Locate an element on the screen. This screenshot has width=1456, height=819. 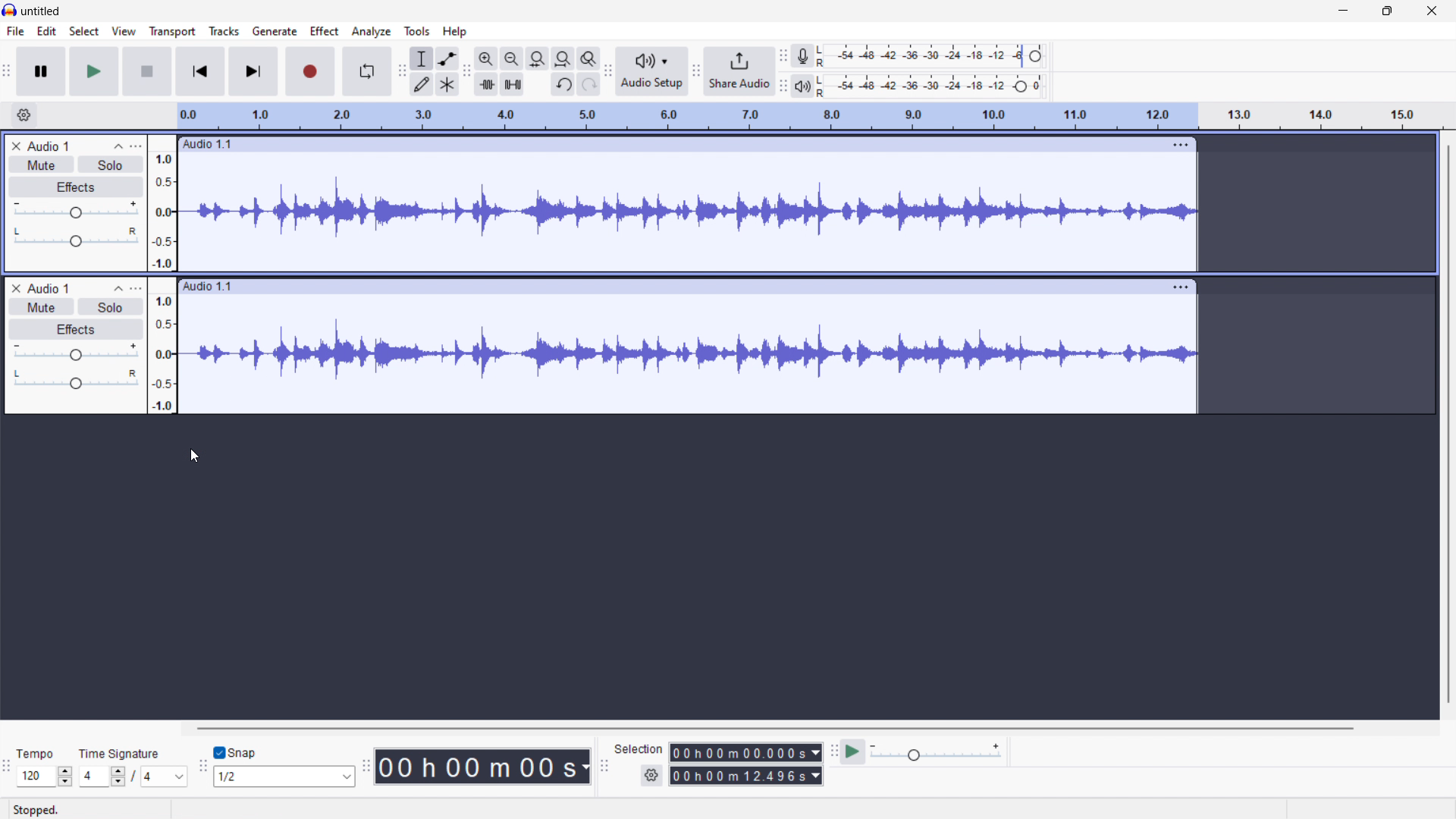
analyze is located at coordinates (371, 31).